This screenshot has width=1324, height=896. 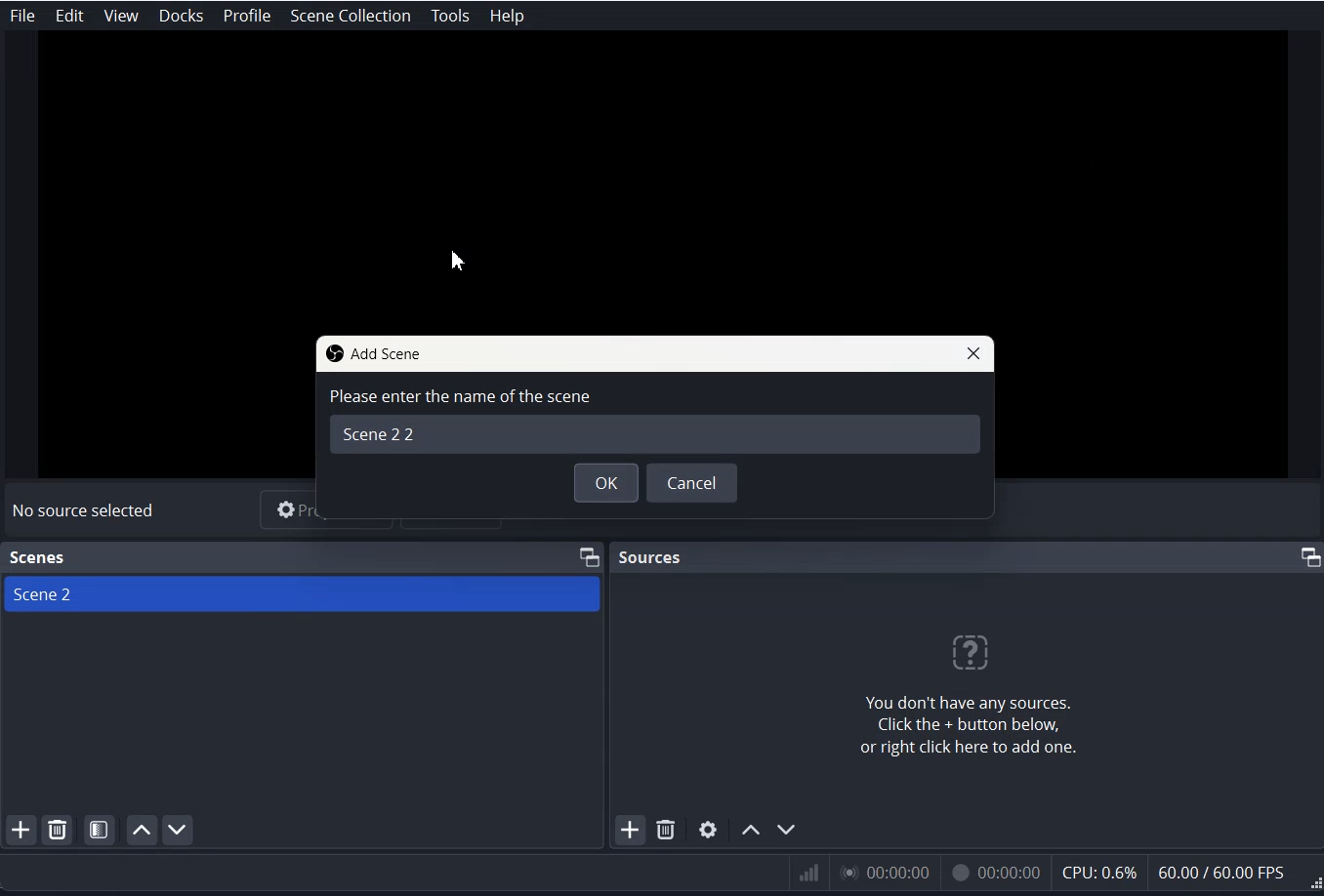 I want to click on Add Source, so click(x=631, y=829).